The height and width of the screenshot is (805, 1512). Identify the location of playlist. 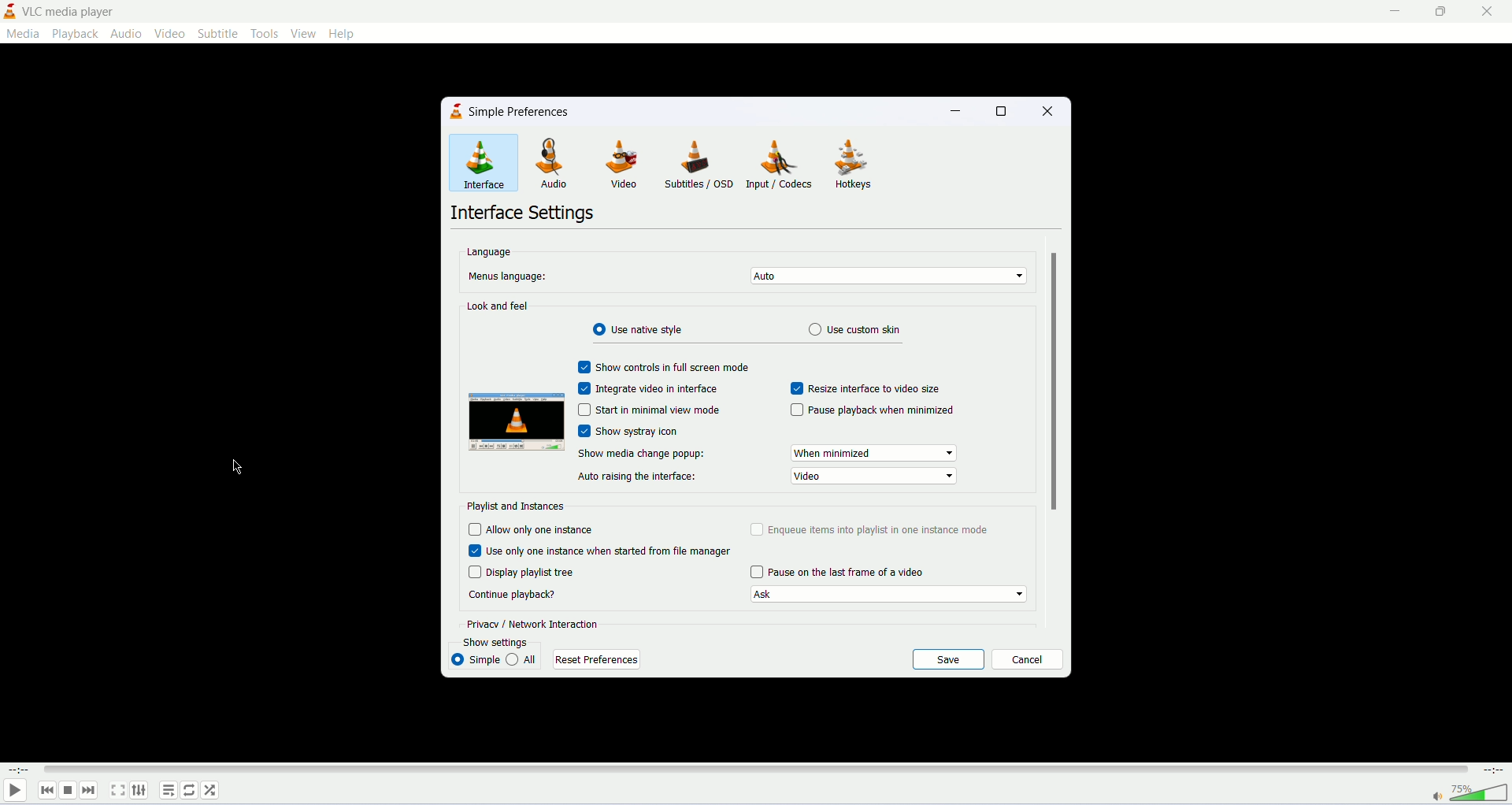
(168, 789).